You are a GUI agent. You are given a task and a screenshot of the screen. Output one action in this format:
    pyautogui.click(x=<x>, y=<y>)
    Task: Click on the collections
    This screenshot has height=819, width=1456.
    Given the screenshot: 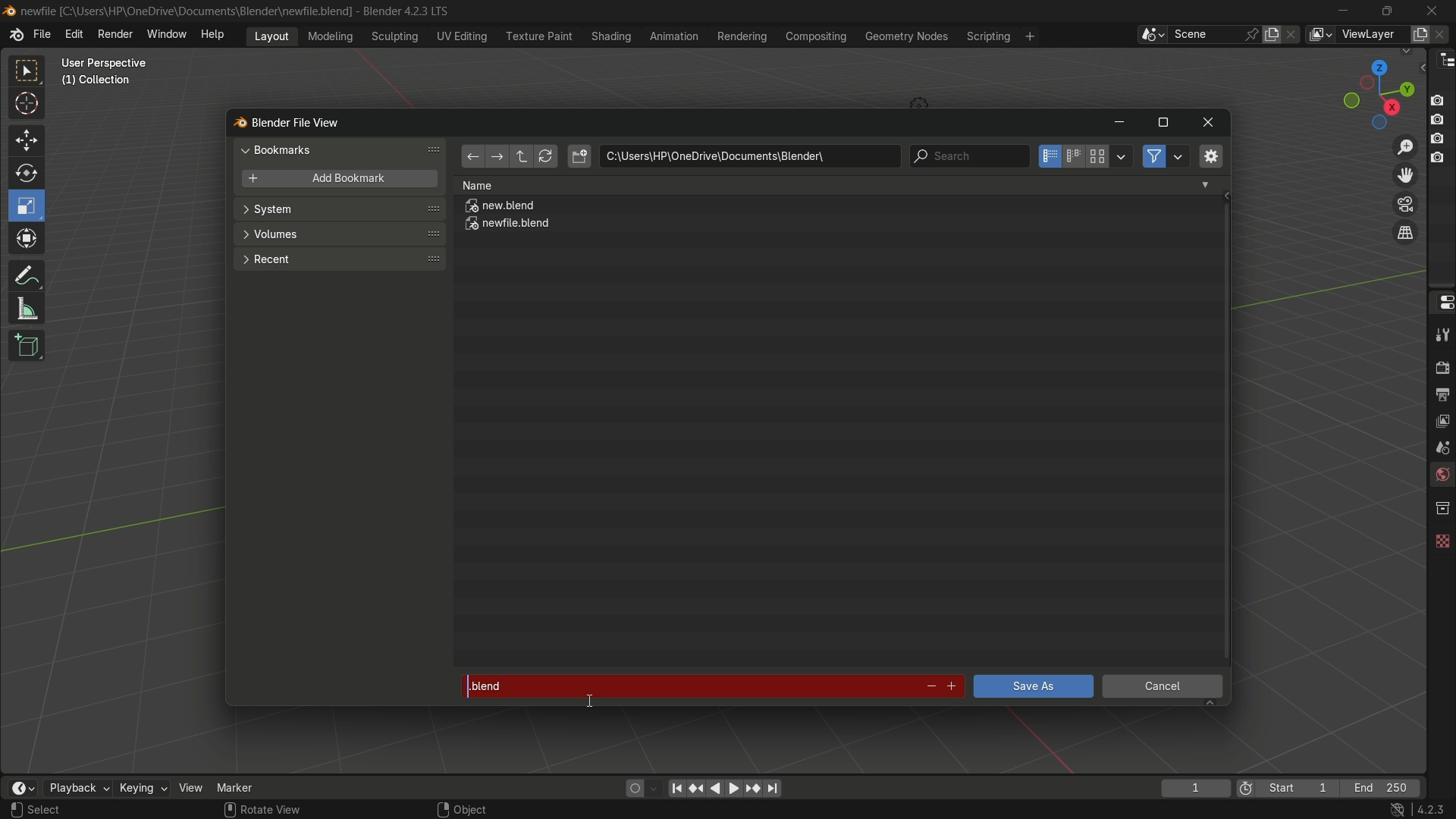 What is the action you would take?
    pyautogui.click(x=1442, y=508)
    